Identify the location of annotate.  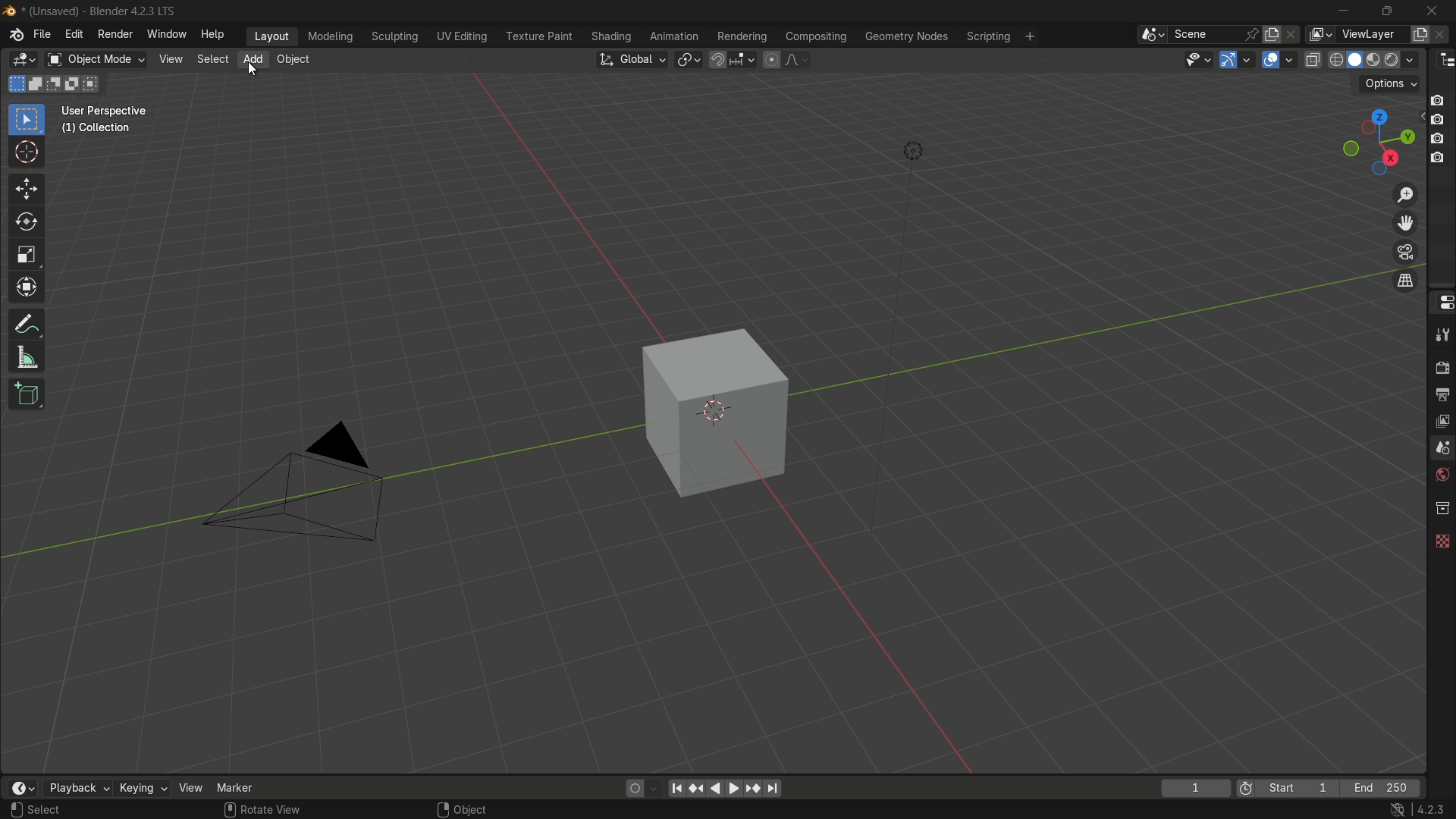
(27, 325).